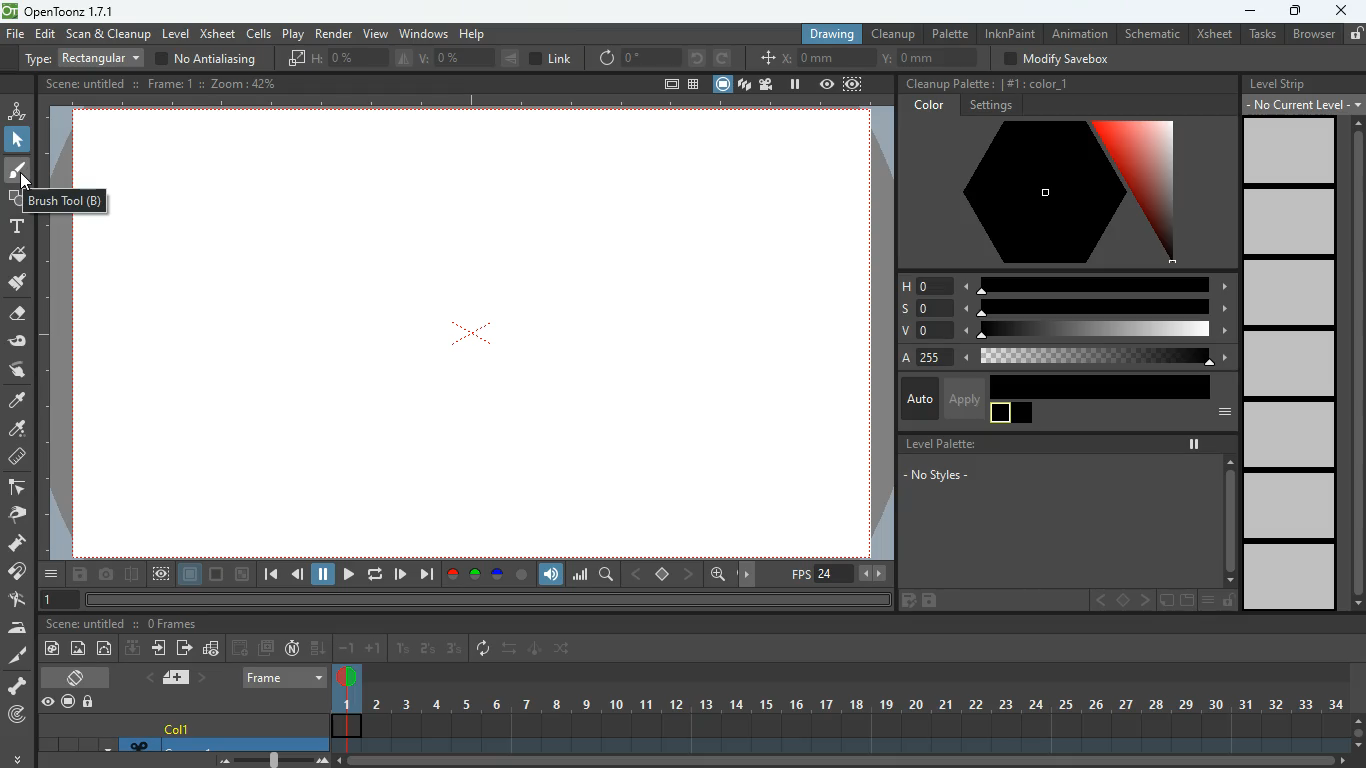 This screenshot has width=1366, height=768. I want to click on size, so click(401, 57).